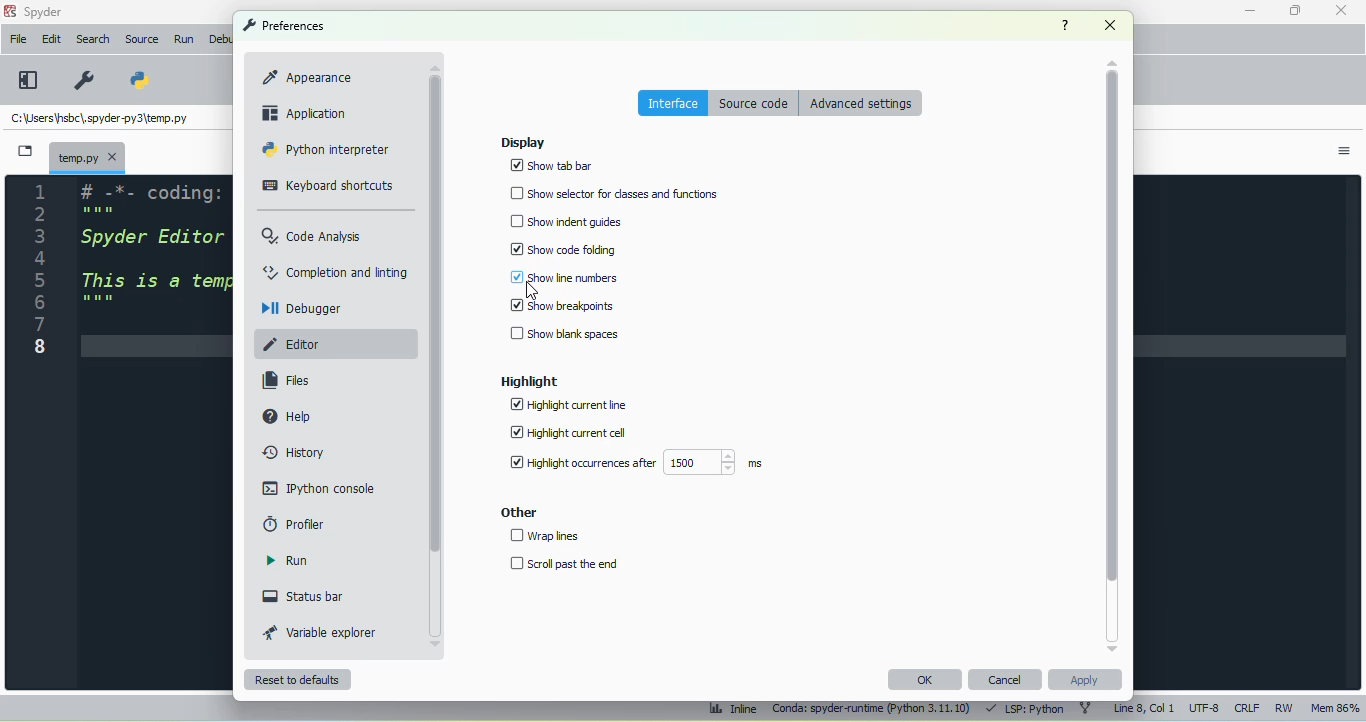  Describe the element at coordinates (1249, 11) in the screenshot. I see `minimize` at that location.